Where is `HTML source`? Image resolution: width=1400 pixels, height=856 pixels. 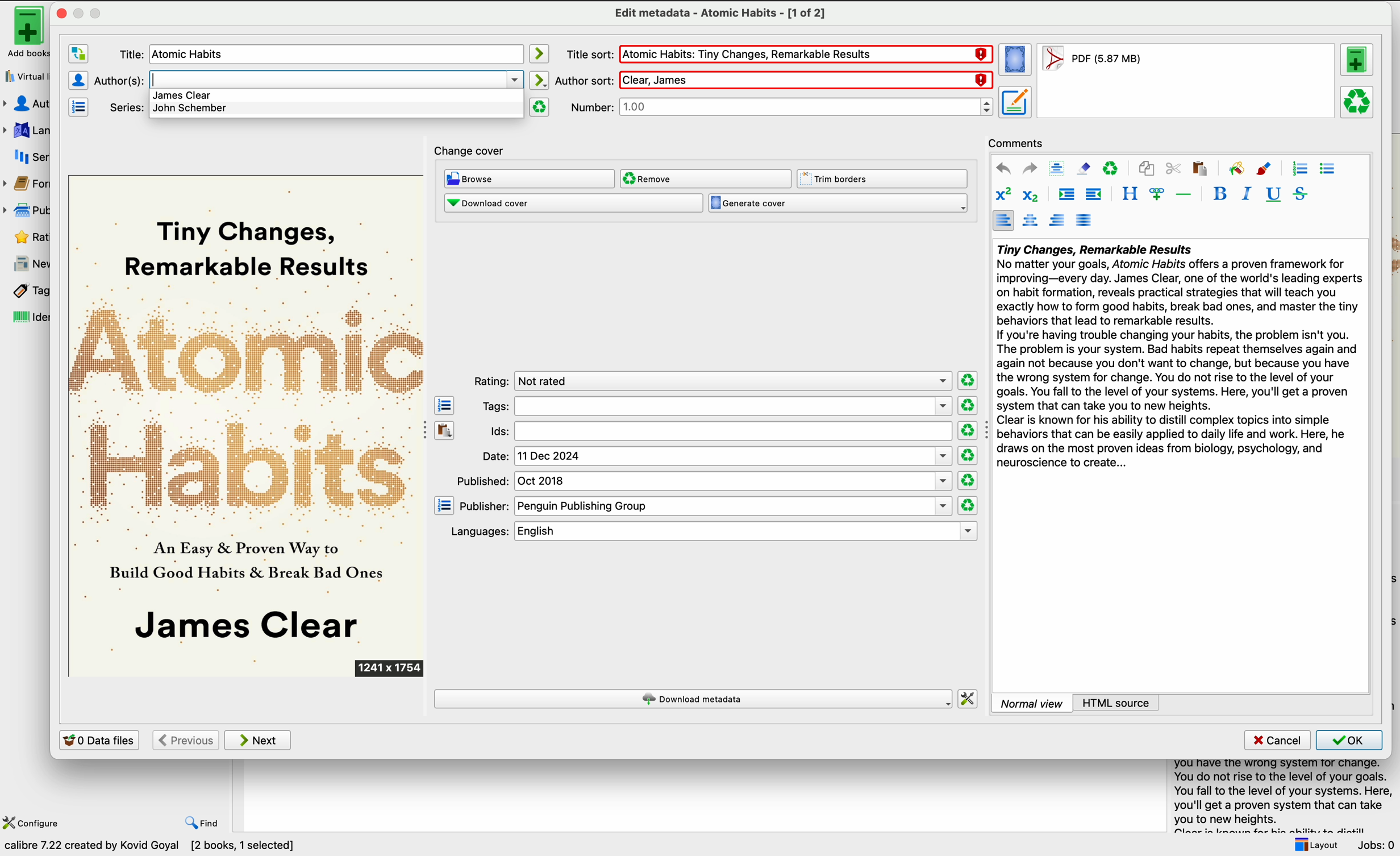 HTML source is located at coordinates (1116, 703).